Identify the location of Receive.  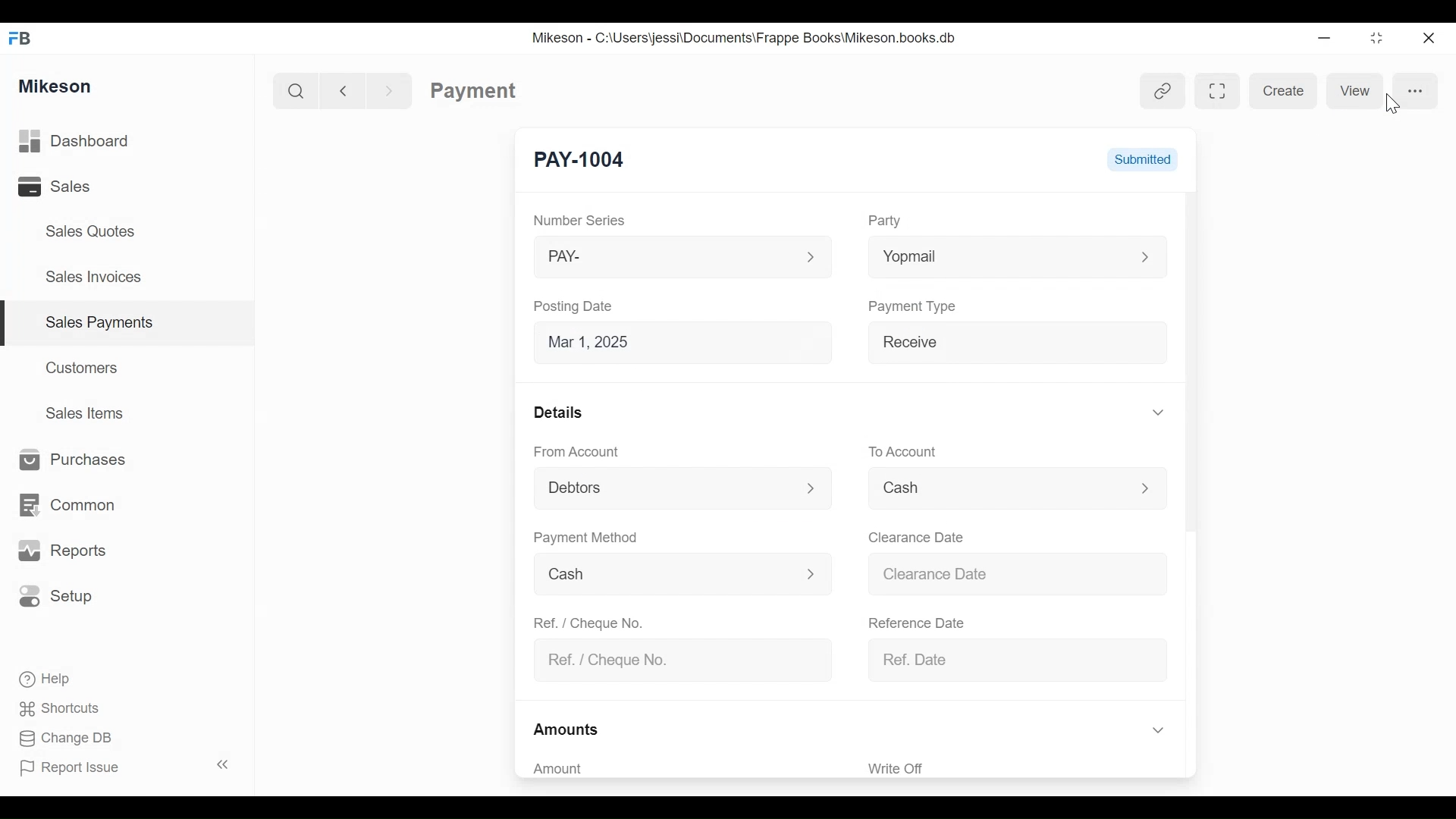
(1025, 345).